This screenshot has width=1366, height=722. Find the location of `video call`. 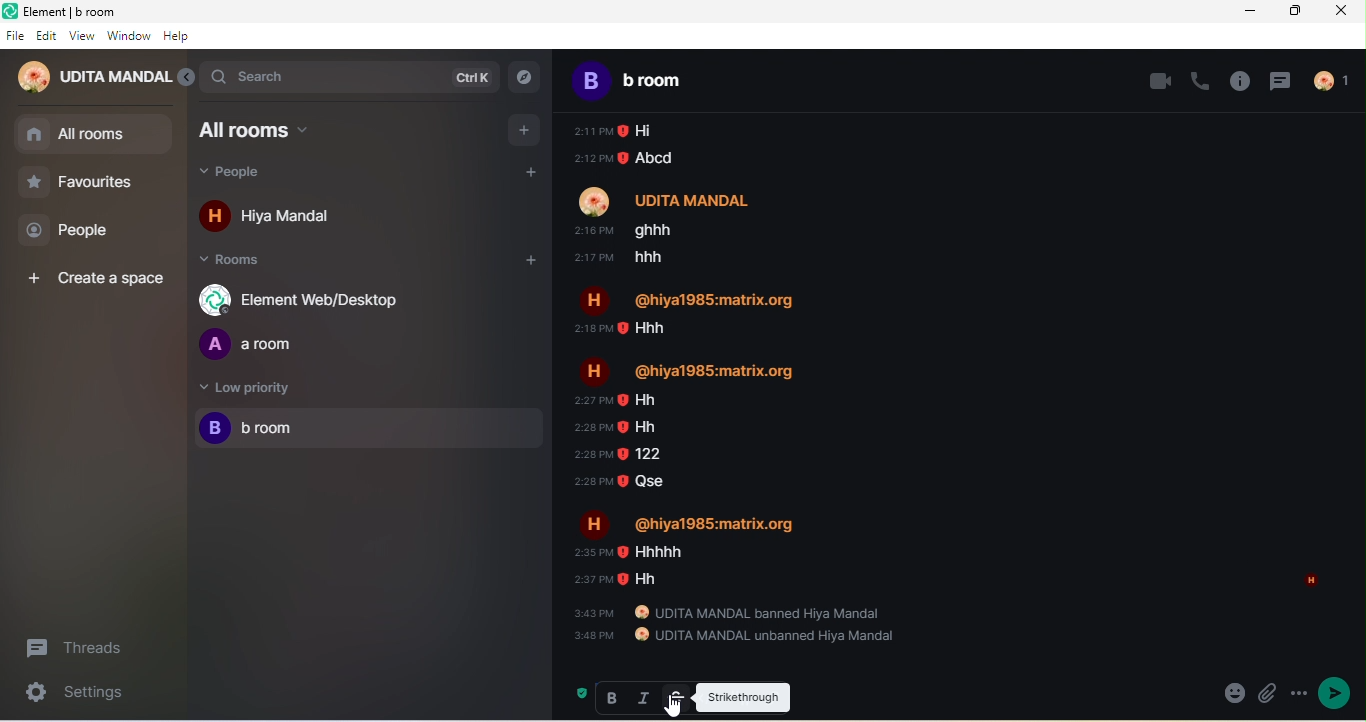

video call is located at coordinates (1159, 80).